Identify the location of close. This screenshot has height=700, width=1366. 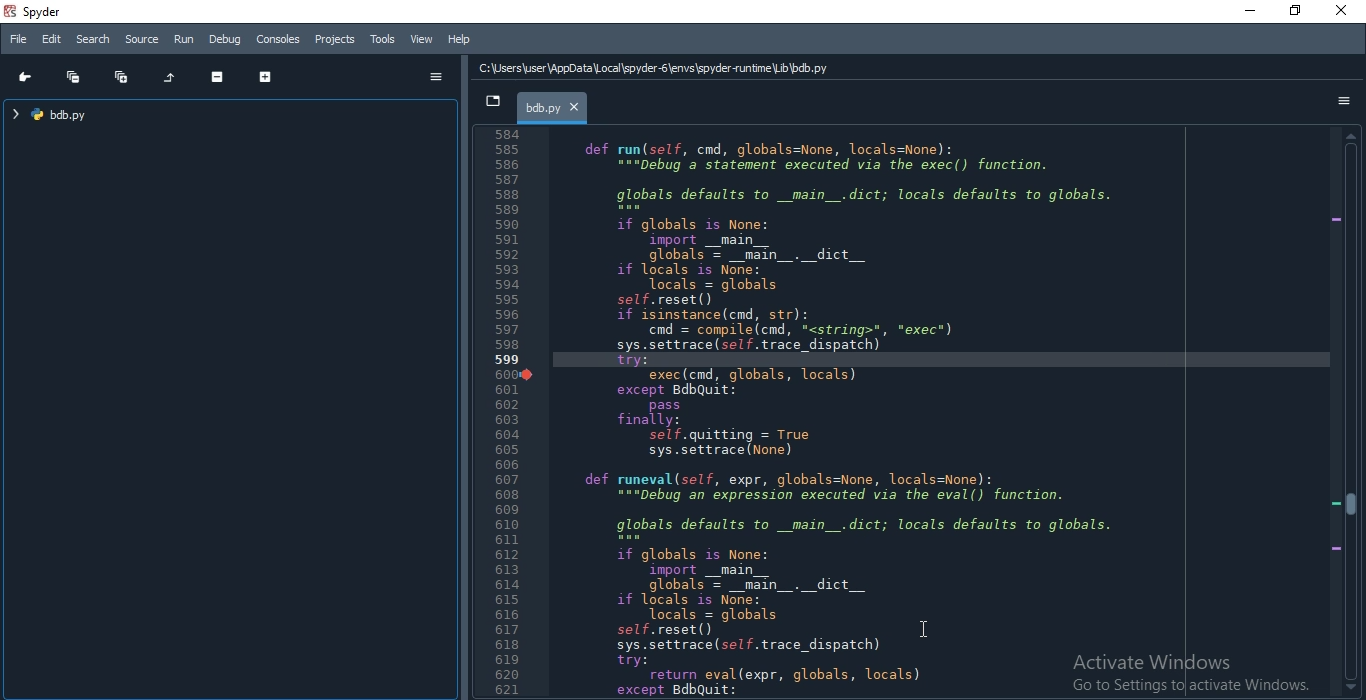
(1342, 12).